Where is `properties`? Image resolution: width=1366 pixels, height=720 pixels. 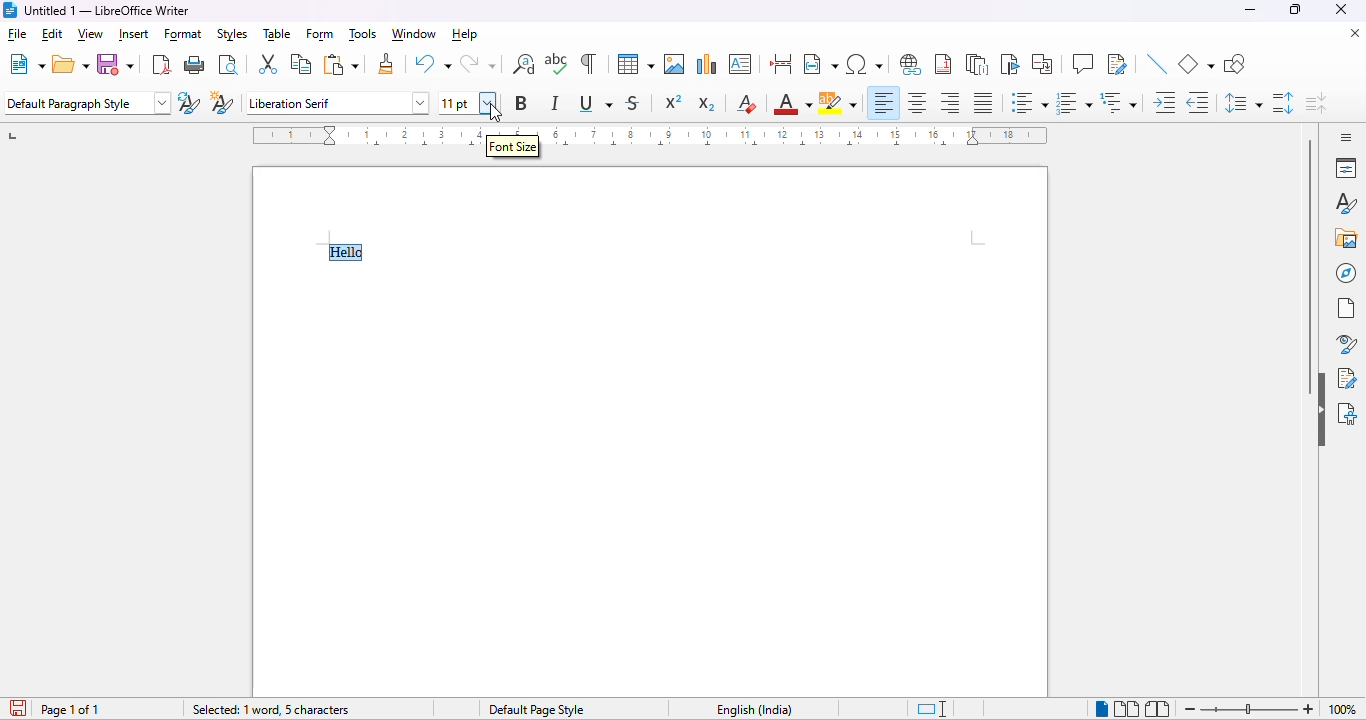 properties is located at coordinates (1346, 168).